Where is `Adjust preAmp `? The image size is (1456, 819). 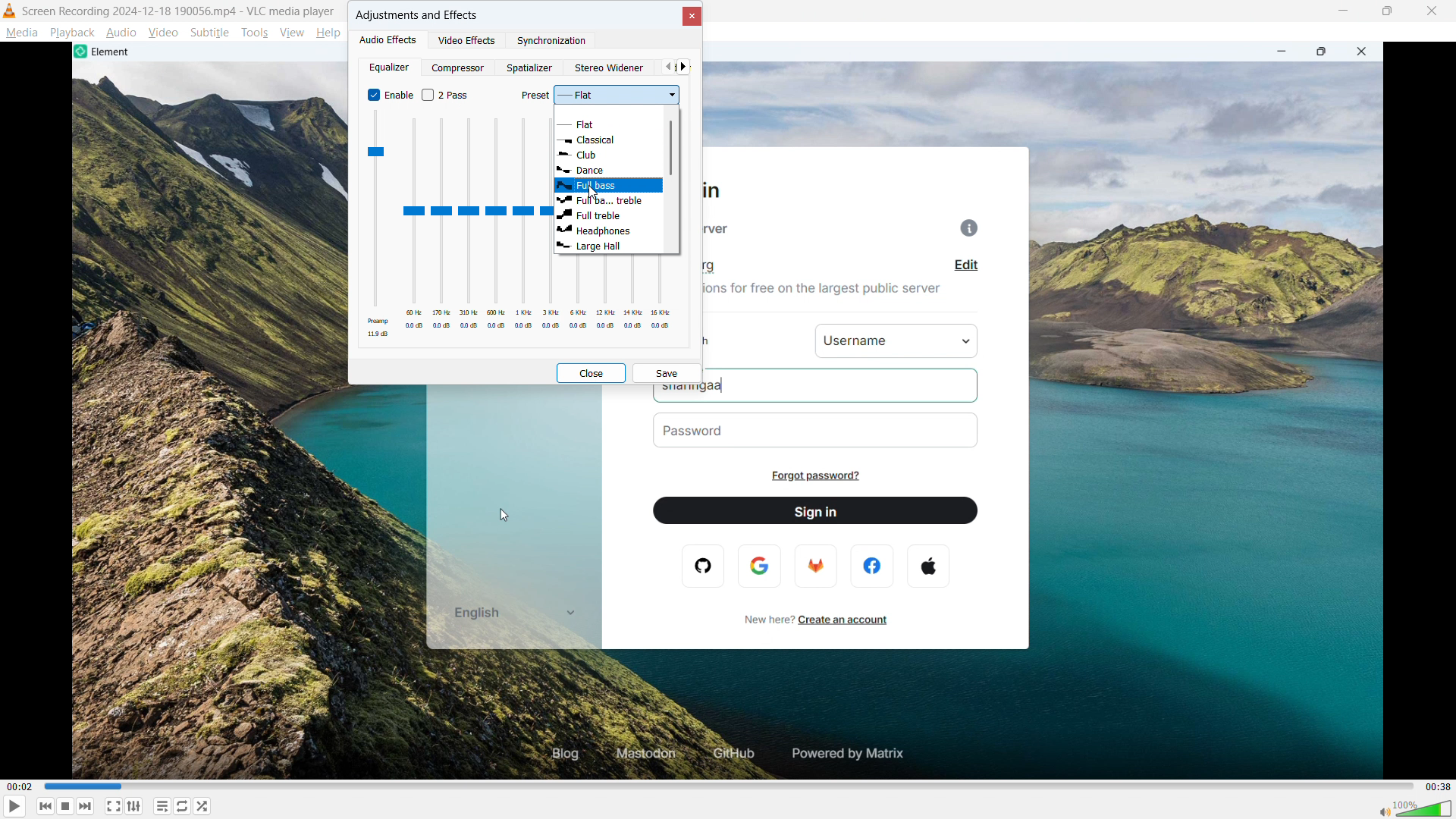 Adjust preAmp  is located at coordinates (377, 224).